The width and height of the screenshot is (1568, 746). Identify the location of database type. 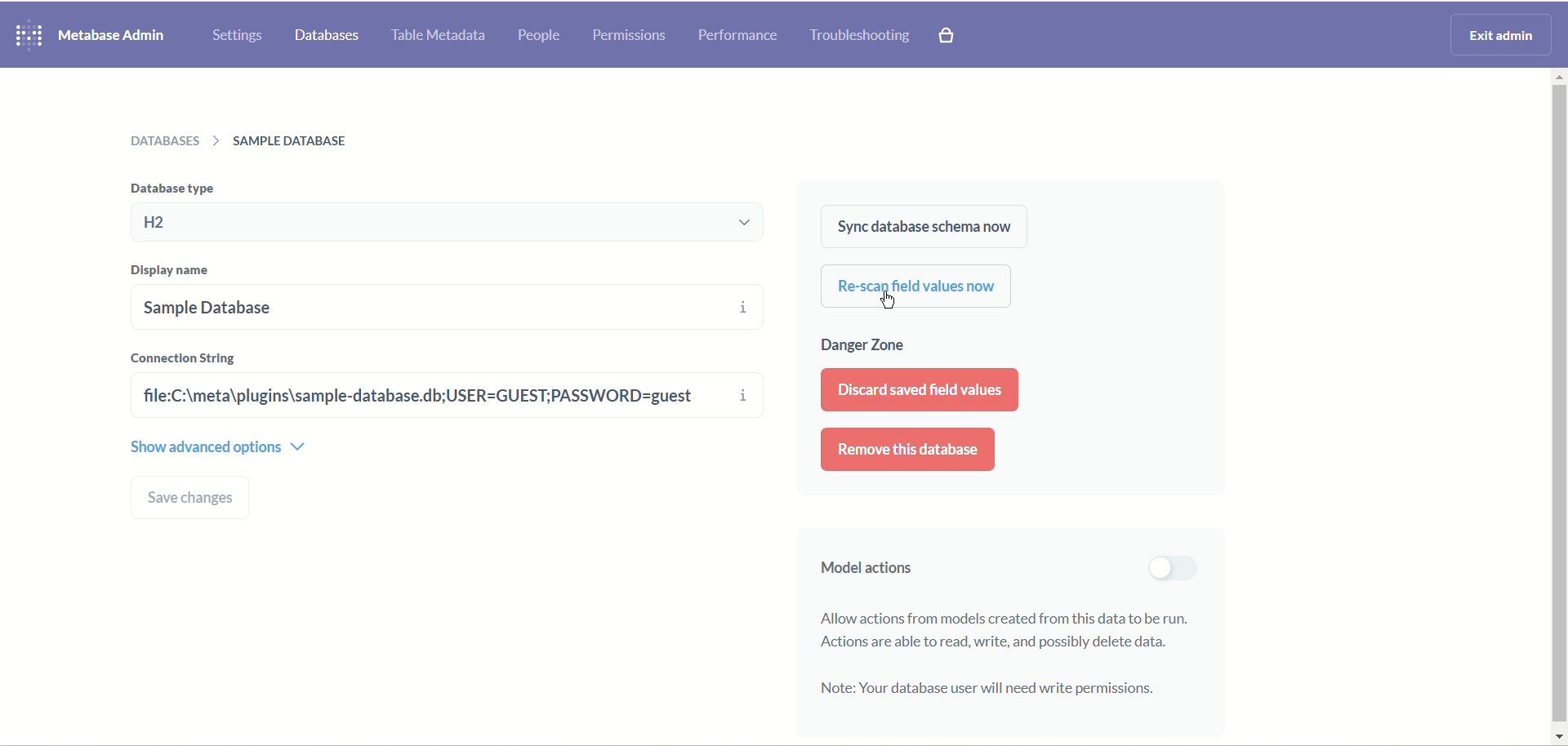
(169, 187).